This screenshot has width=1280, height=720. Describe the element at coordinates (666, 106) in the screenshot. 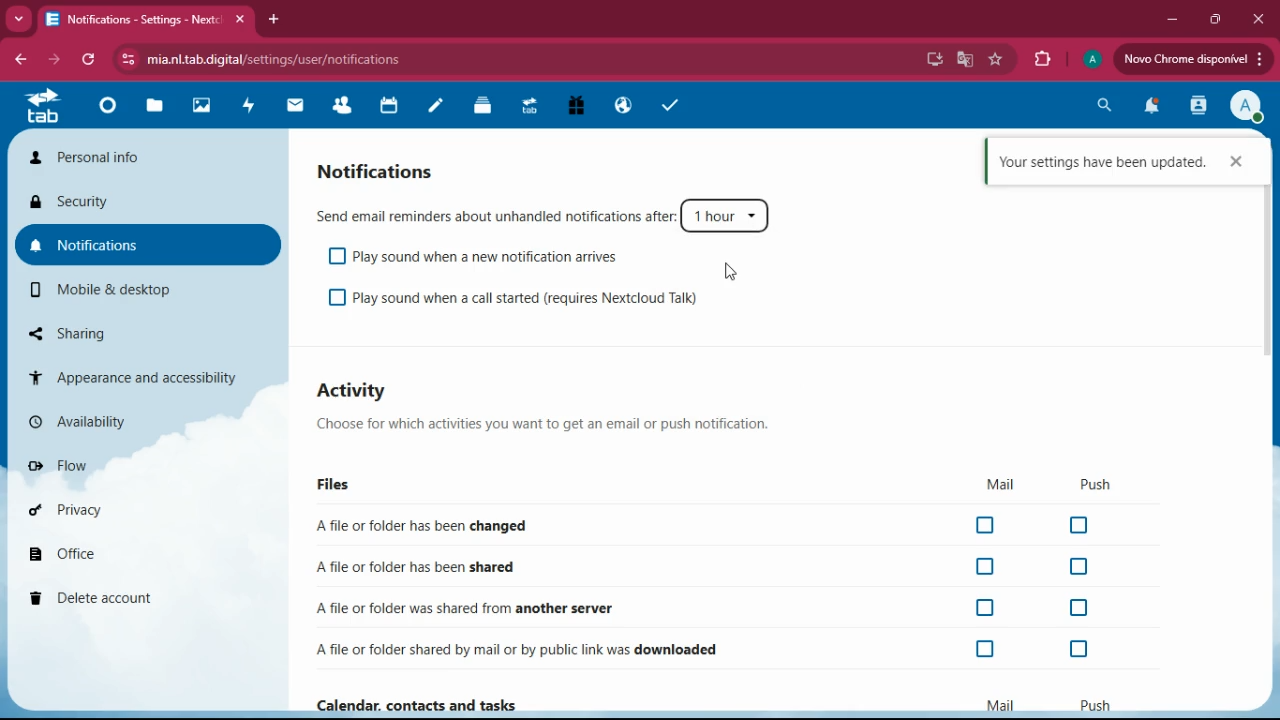

I see `tasks` at that location.